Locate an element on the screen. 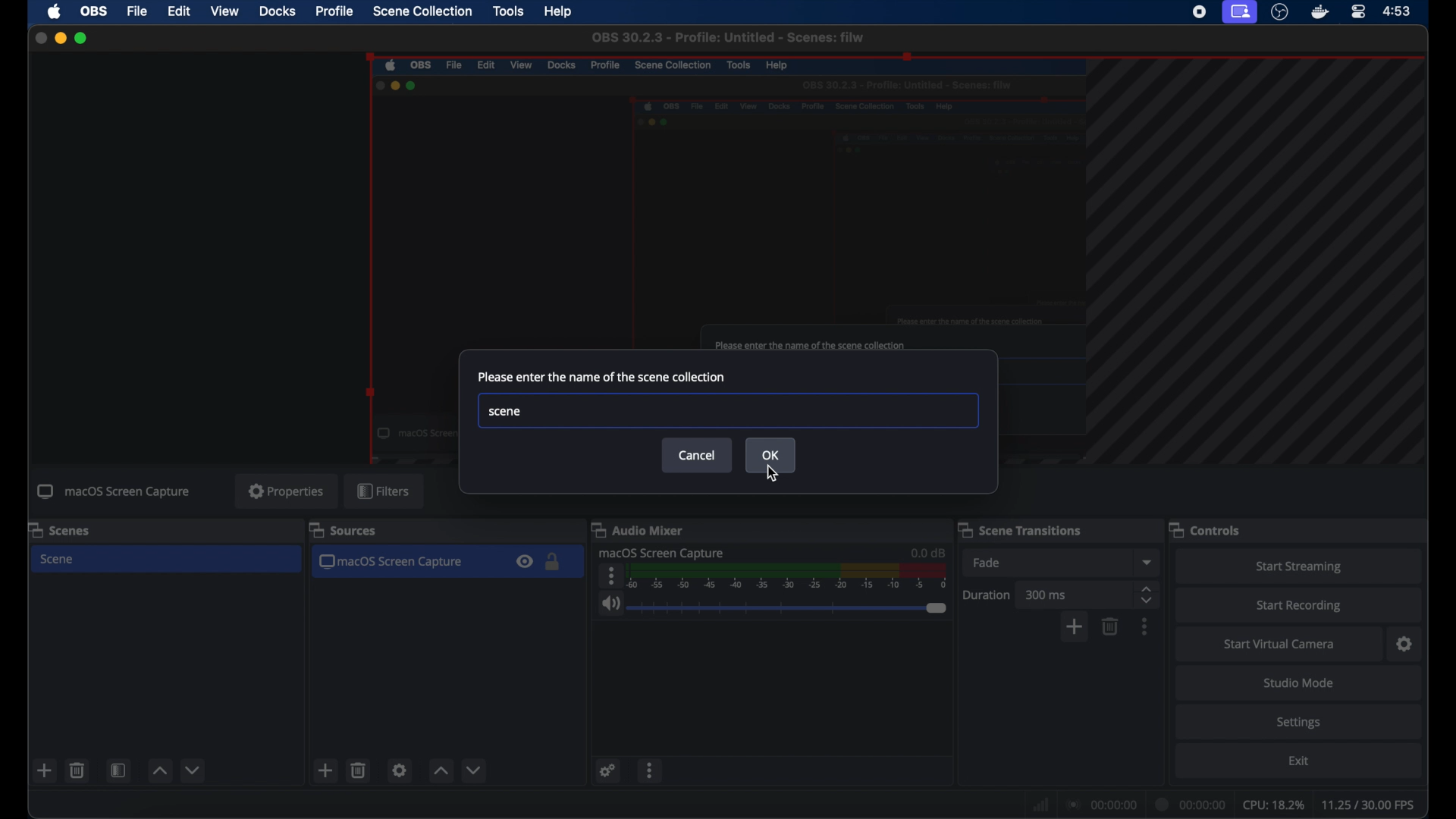  minimize is located at coordinates (61, 38).